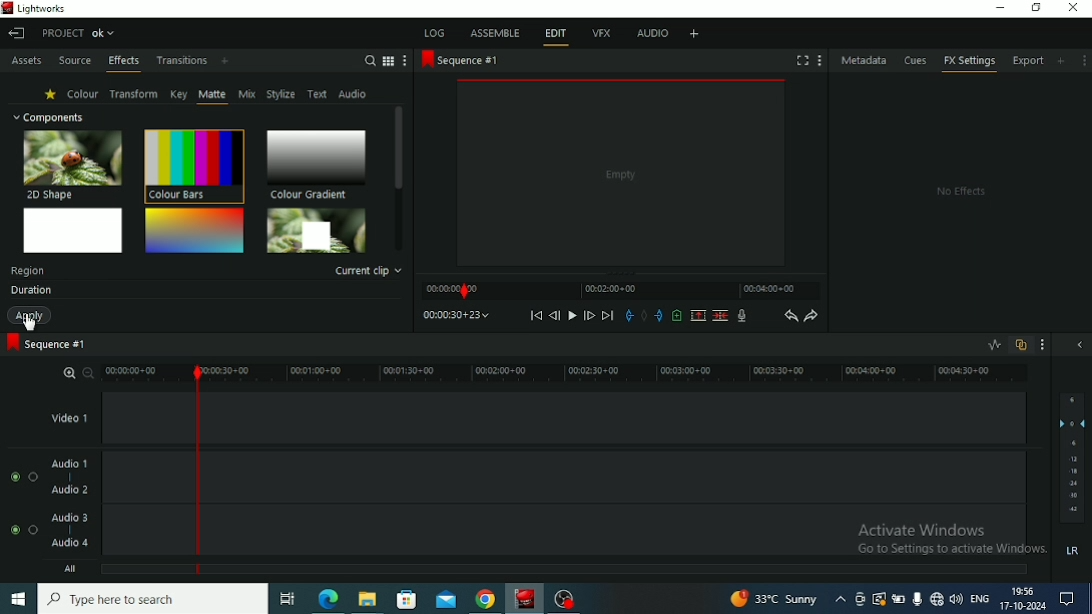 The image size is (1092, 614). Describe the element at coordinates (446, 598) in the screenshot. I see `Mail` at that location.